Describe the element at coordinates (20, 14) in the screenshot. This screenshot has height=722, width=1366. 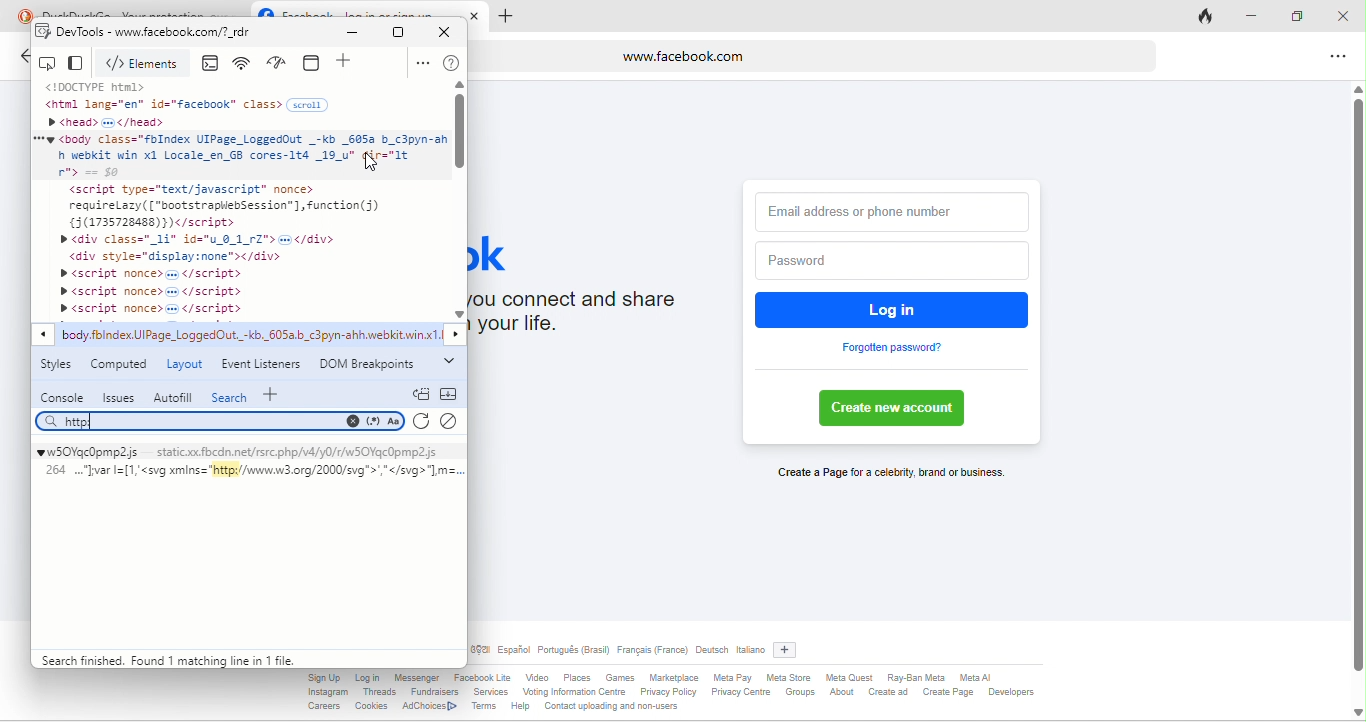
I see `duckduckgo logo` at that location.